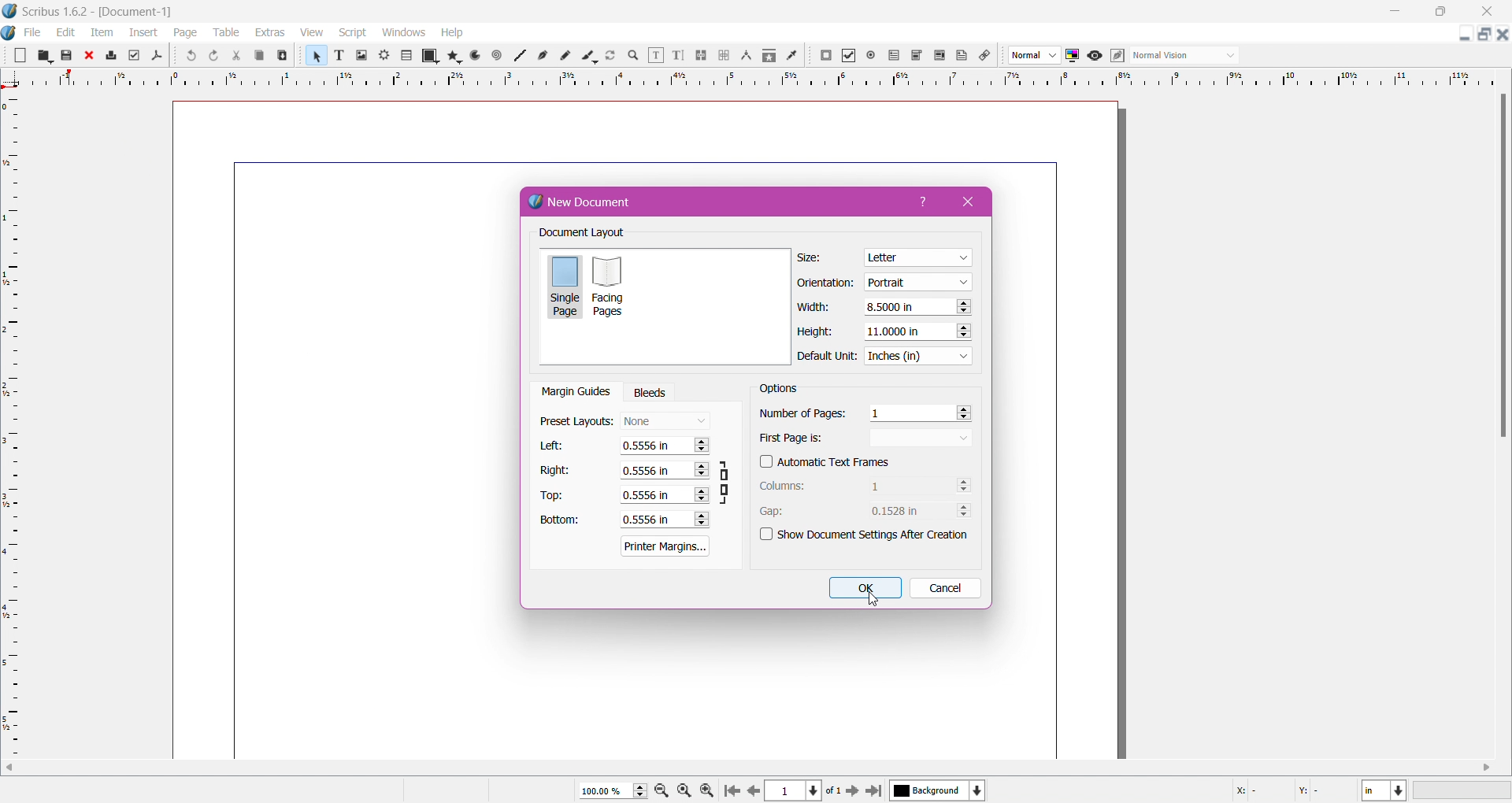 Image resolution: width=1512 pixels, height=803 pixels. Describe the element at coordinates (71, 56) in the screenshot. I see `save` at that location.